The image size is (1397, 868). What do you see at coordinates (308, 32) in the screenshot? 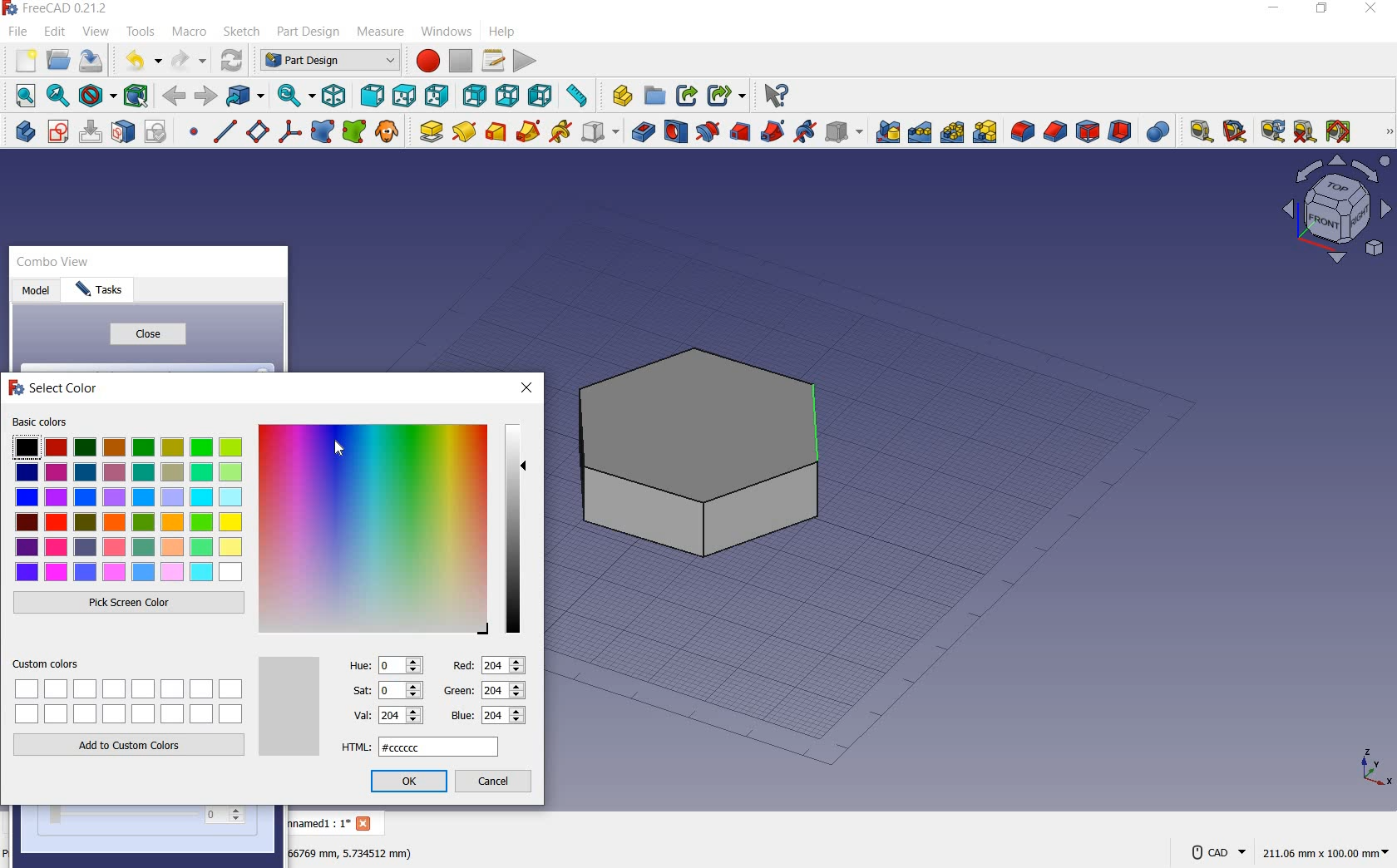
I see `part design` at bounding box center [308, 32].